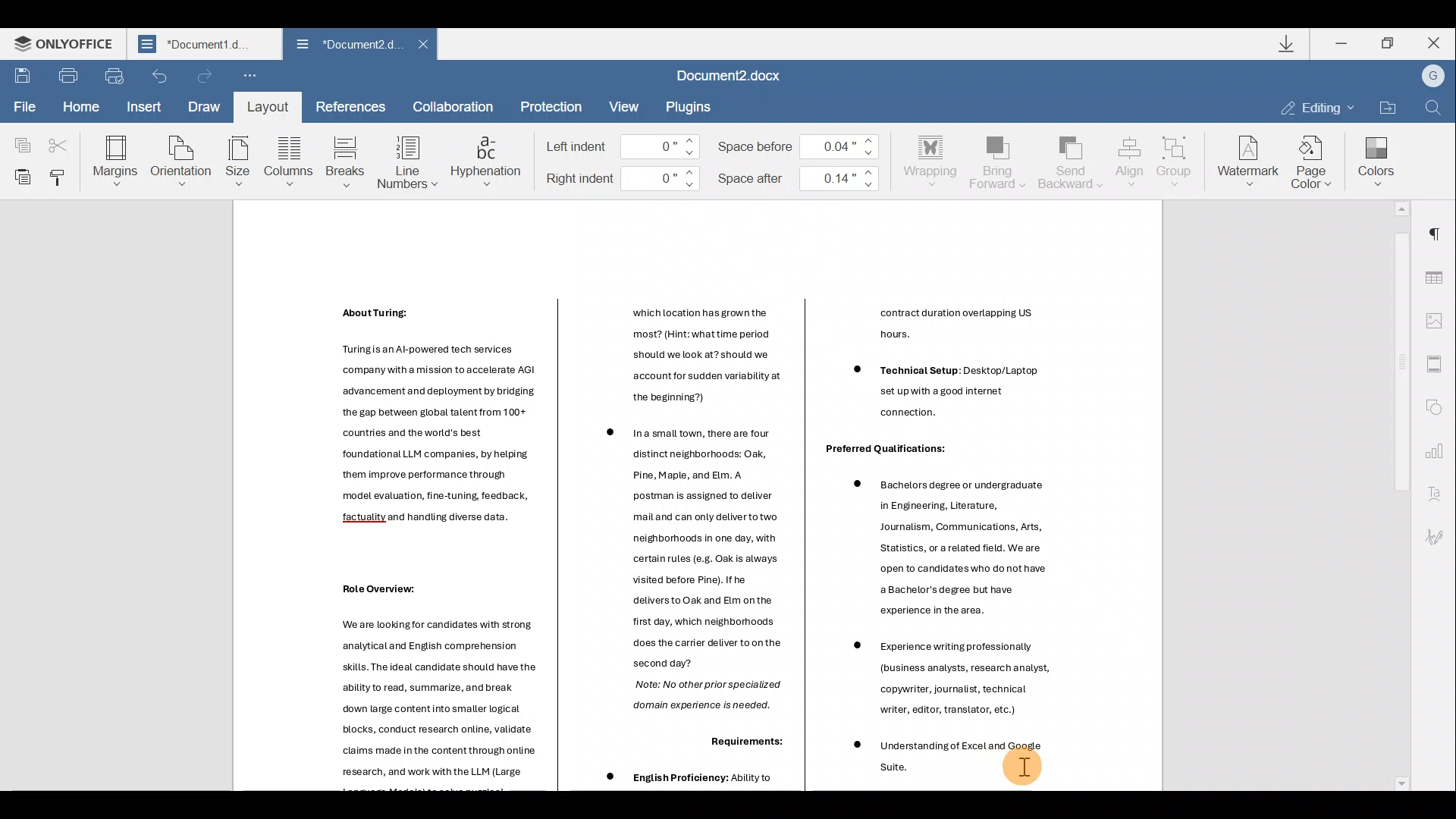 The height and width of the screenshot is (819, 1456). What do you see at coordinates (431, 436) in the screenshot?
I see `` at bounding box center [431, 436].